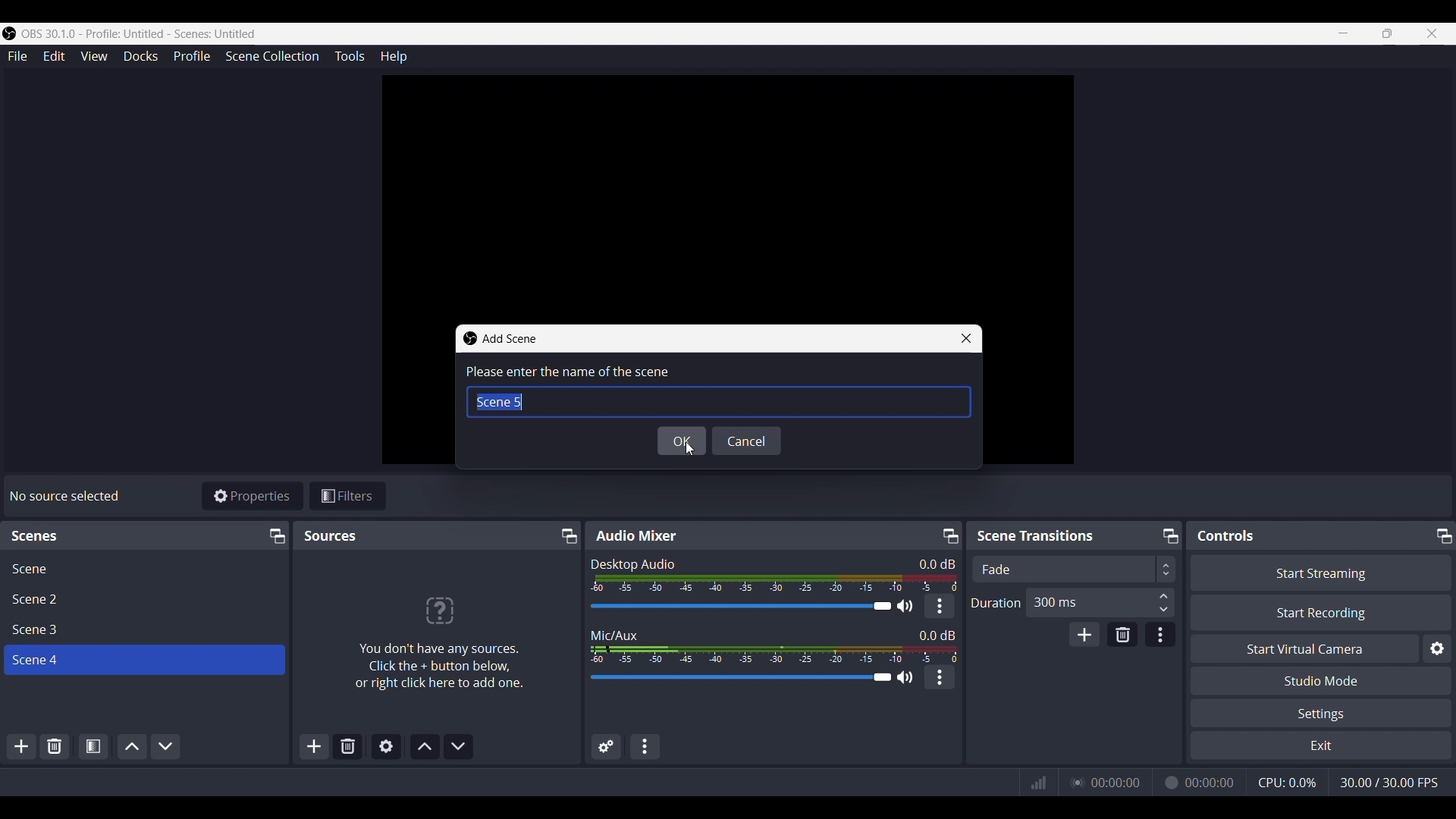  Describe the element at coordinates (1072, 570) in the screenshot. I see `Transition type` at that location.